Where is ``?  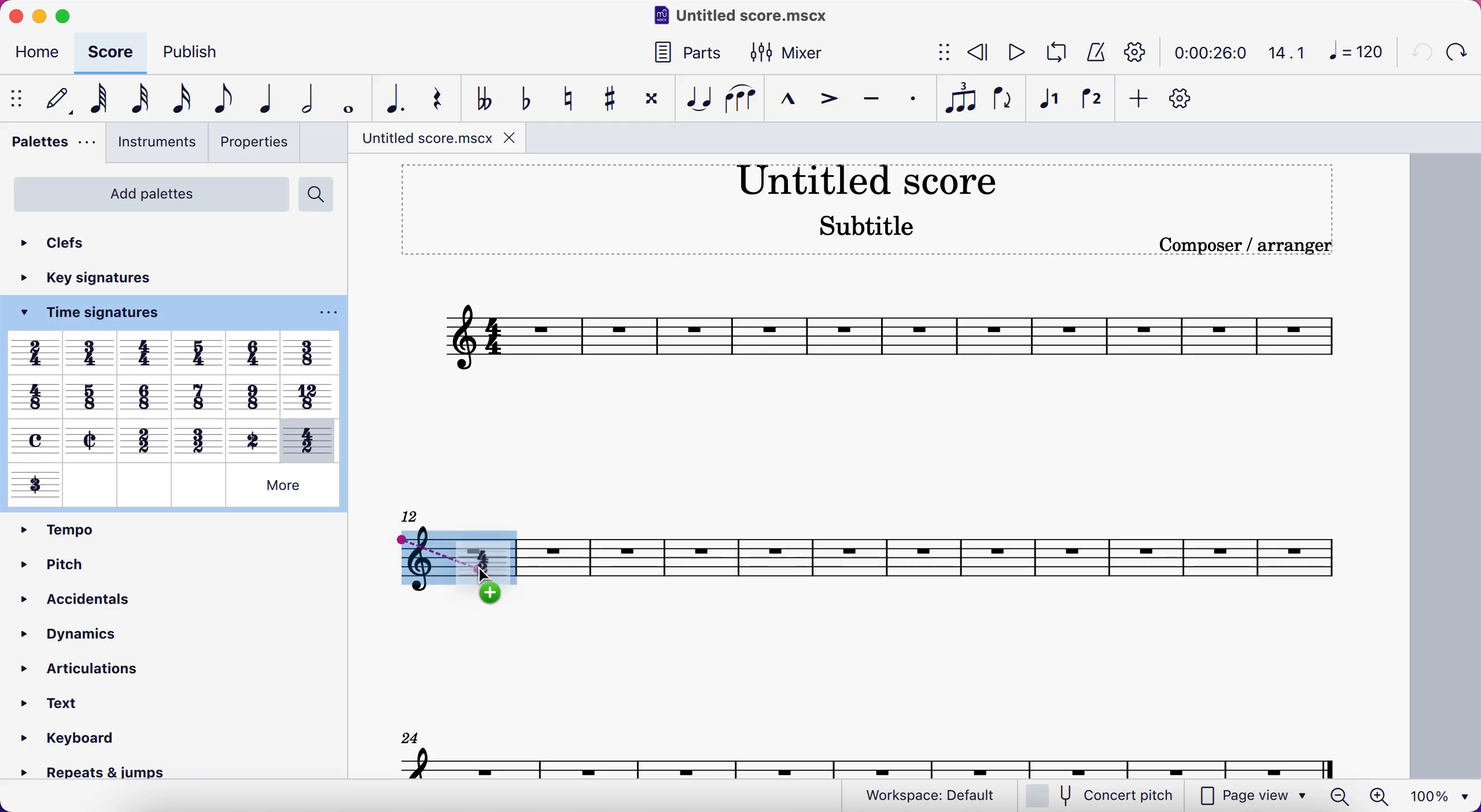
 is located at coordinates (197, 396).